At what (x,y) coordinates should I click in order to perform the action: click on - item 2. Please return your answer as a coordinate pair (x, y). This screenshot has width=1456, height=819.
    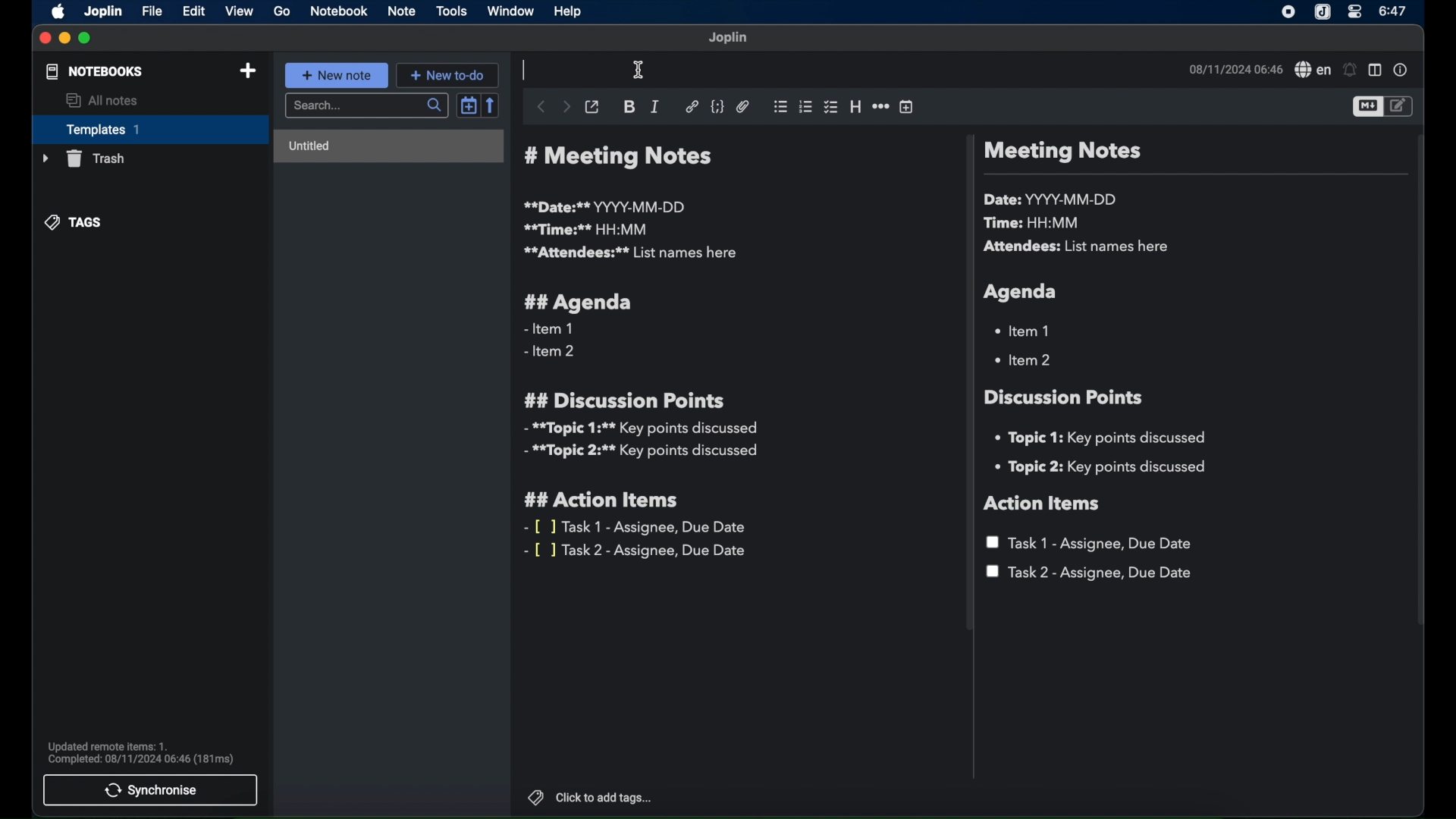
    Looking at the image, I should click on (551, 352).